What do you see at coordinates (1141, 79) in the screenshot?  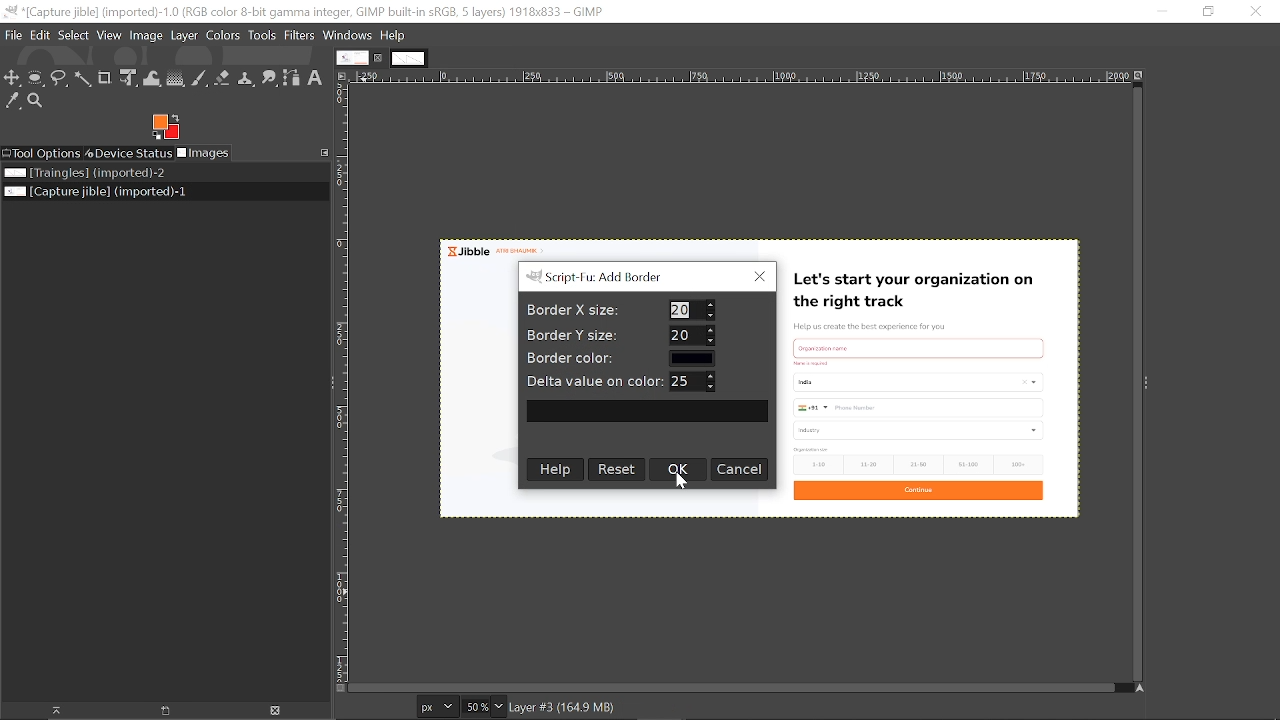 I see `Zoom image when window size changes` at bounding box center [1141, 79].